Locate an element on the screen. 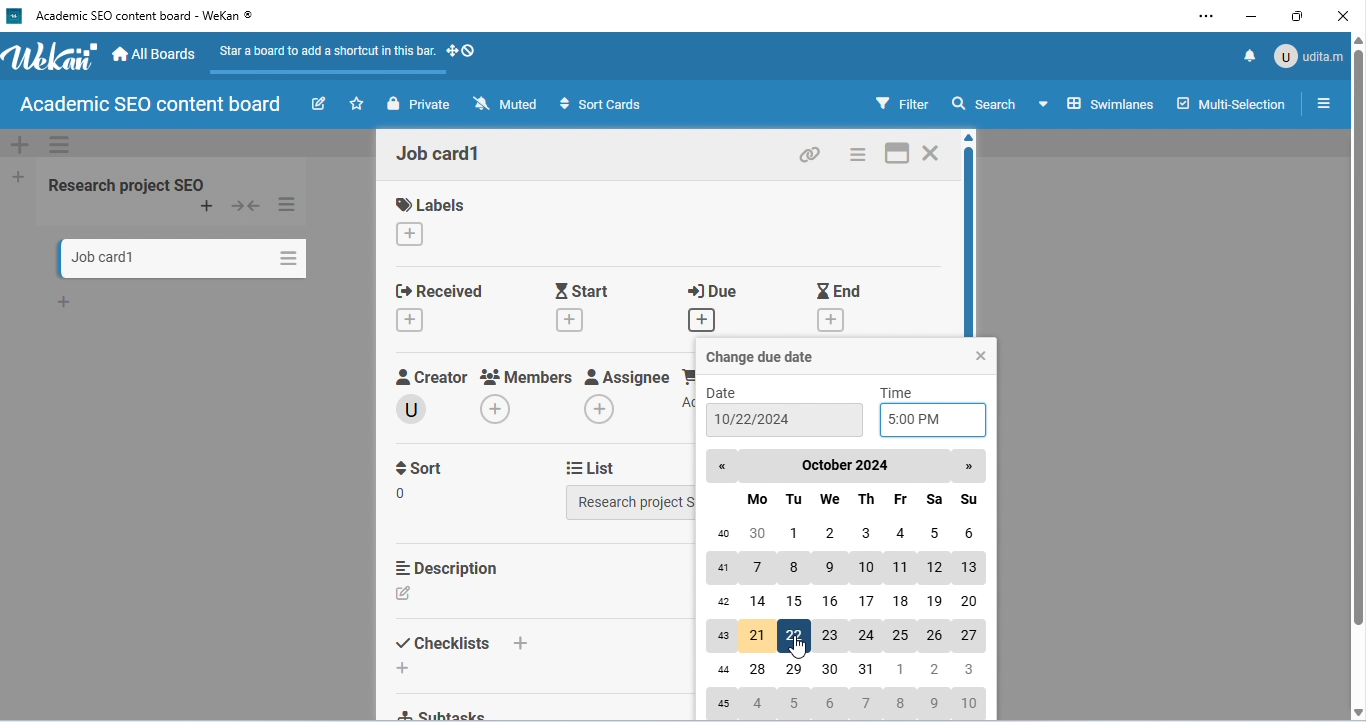  minimize is located at coordinates (1252, 15).